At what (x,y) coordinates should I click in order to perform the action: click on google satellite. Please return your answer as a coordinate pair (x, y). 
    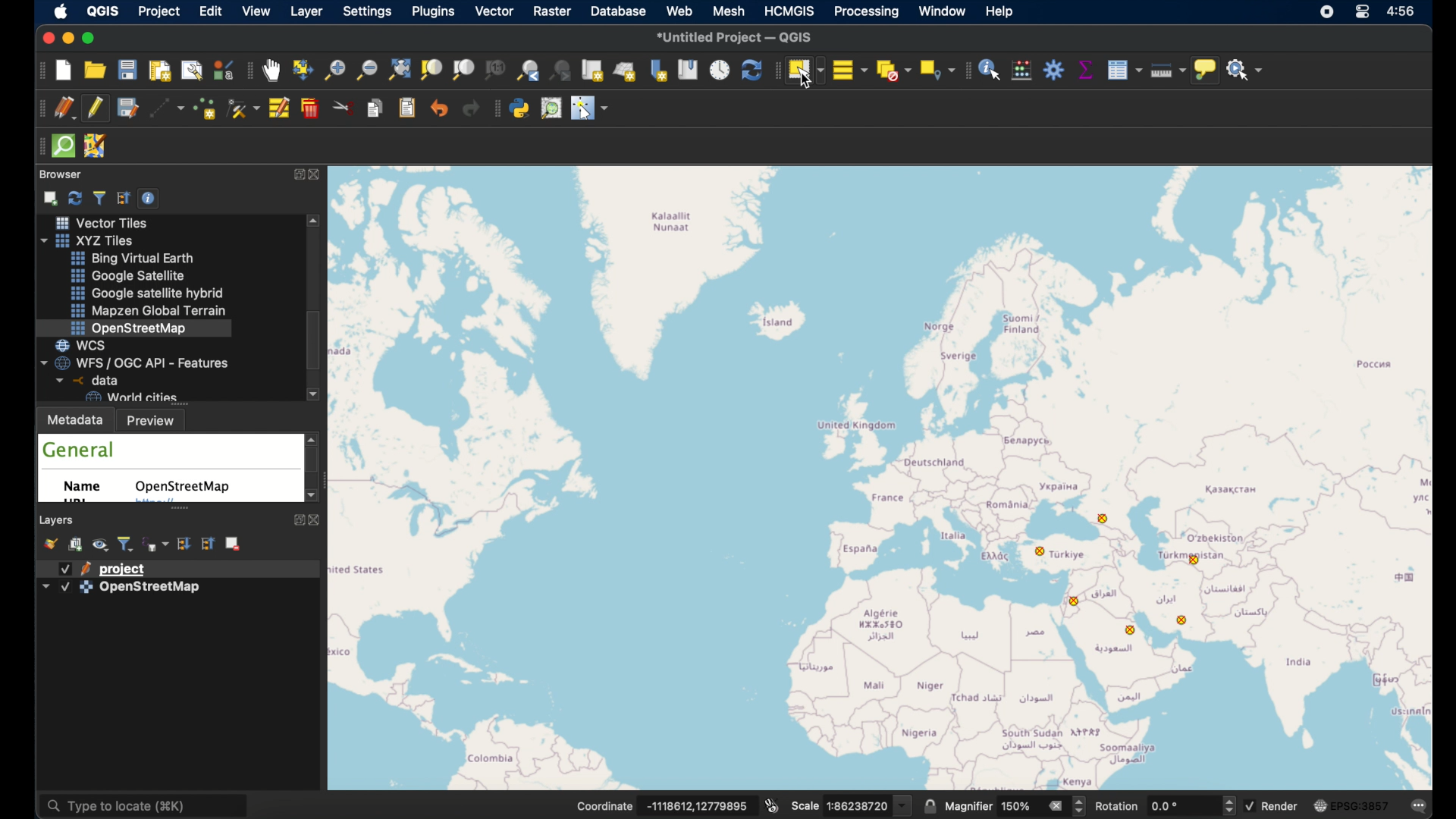
    Looking at the image, I should click on (128, 276).